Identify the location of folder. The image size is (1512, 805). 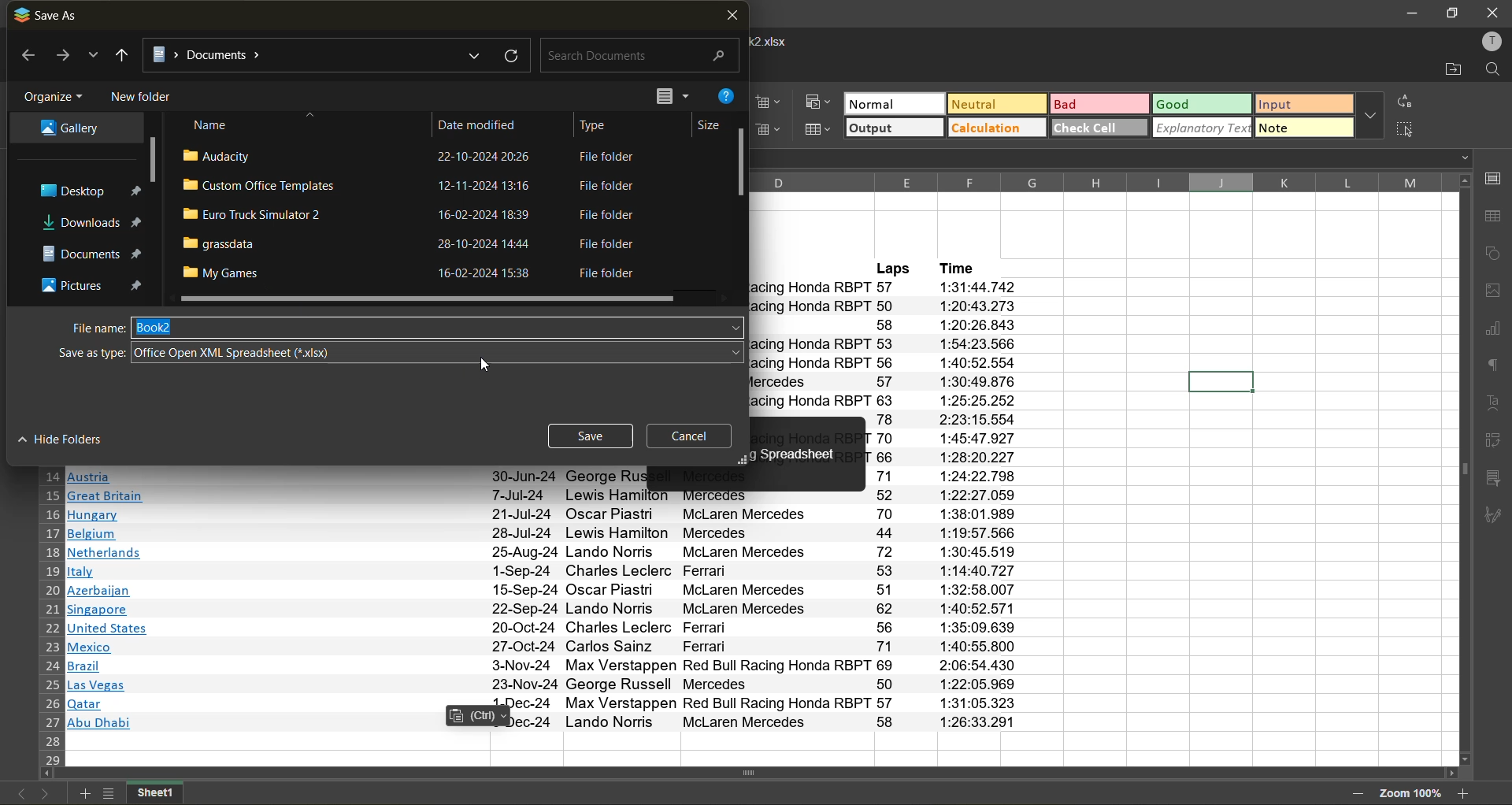
(91, 223).